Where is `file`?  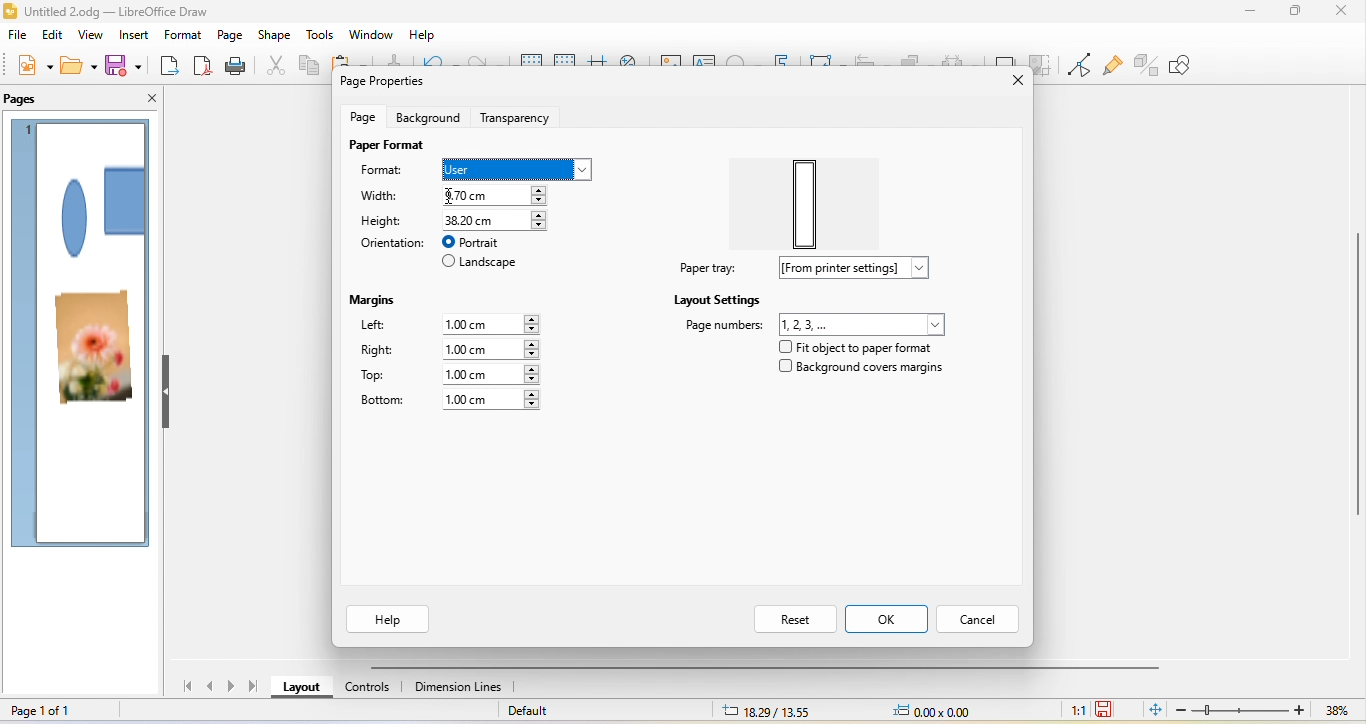 file is located at coordinates (18, 38).